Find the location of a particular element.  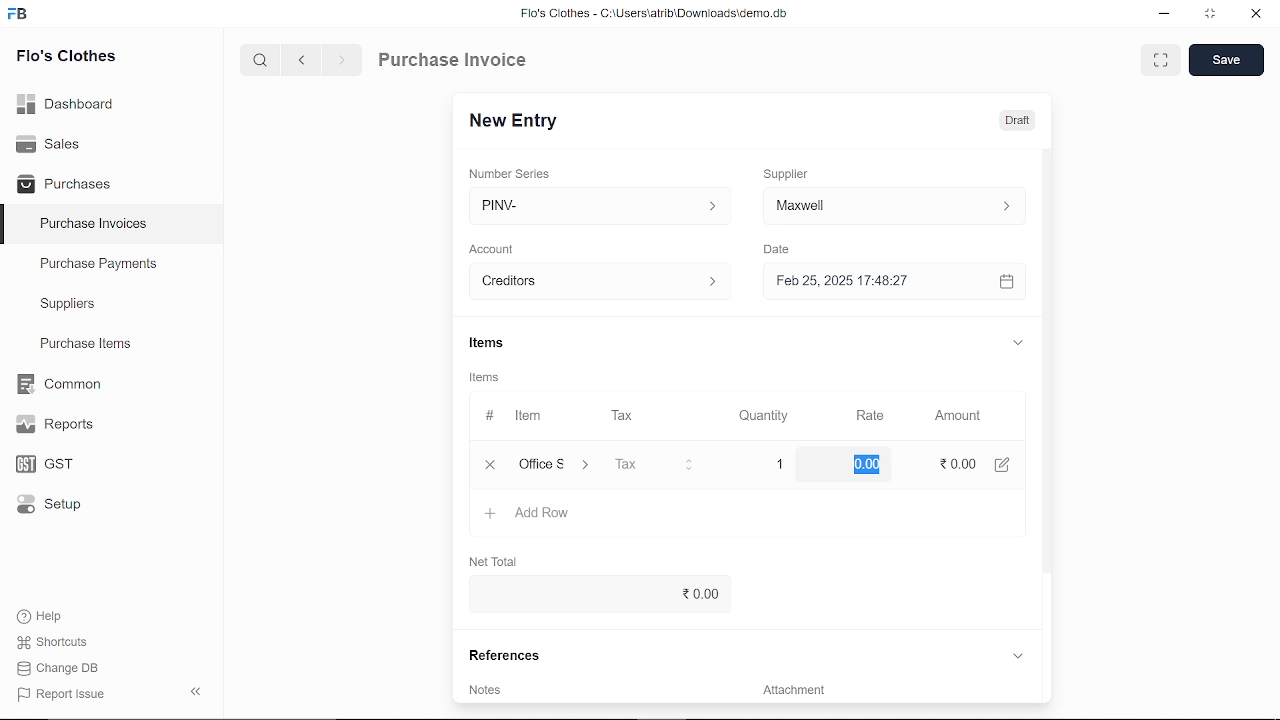

Reports is located at coordinates (54, 425).